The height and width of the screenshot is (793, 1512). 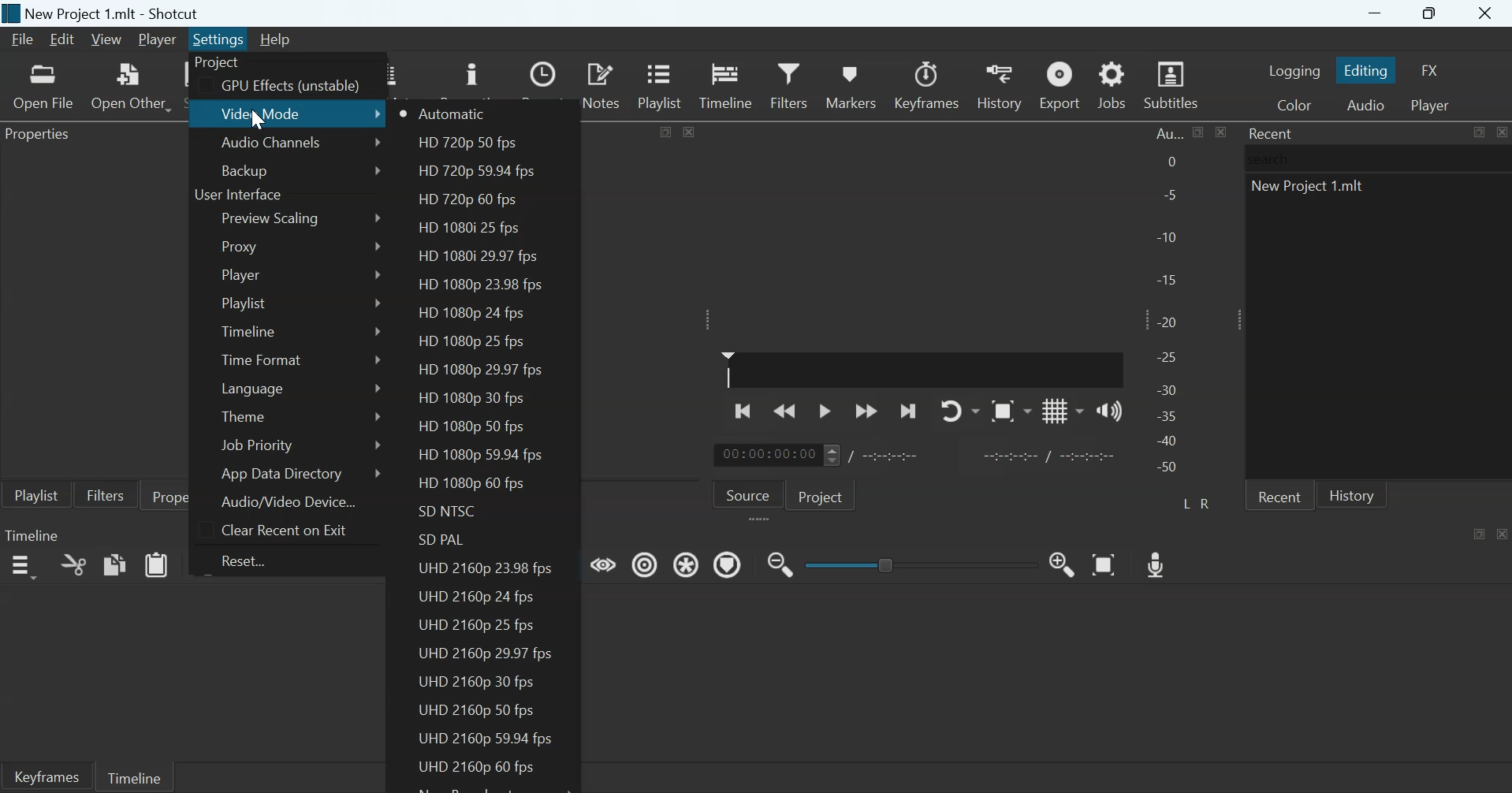 I want to click on Project, so click(x=823, y=495).